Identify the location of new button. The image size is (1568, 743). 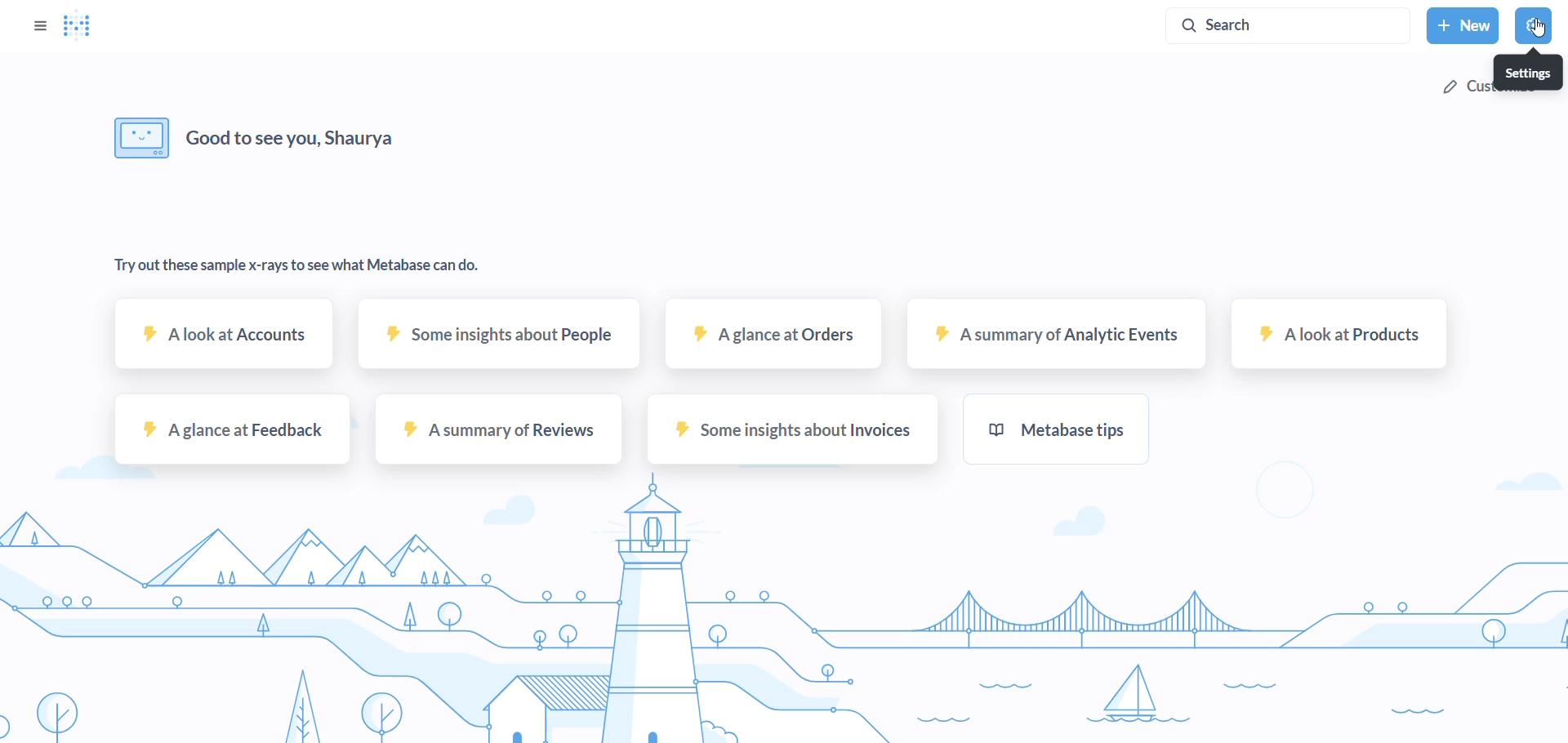
(1462, 26).